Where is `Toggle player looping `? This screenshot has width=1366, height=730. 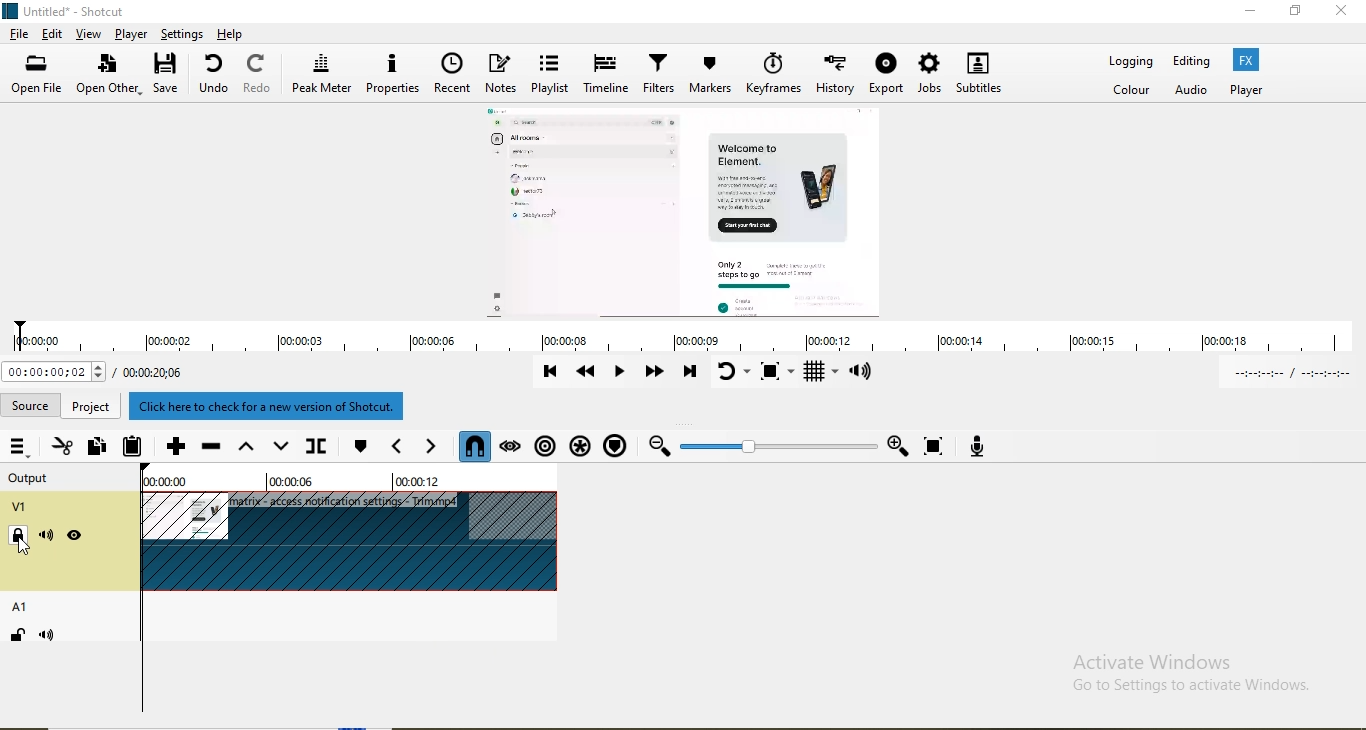
Toggle player looping  is located at coordinates (734, 375).